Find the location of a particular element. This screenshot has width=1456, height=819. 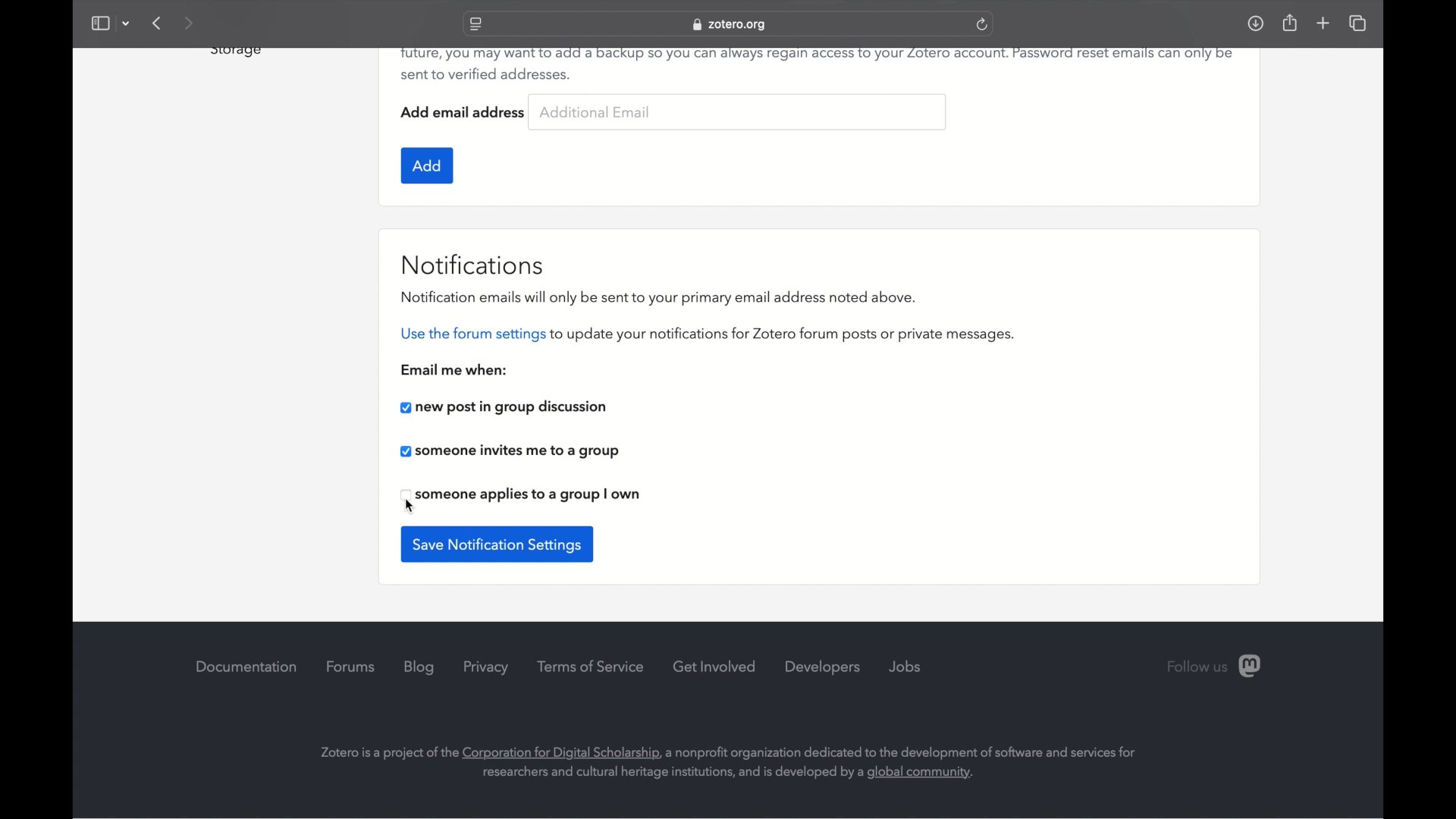

share is located at coordinates (1288, 22).